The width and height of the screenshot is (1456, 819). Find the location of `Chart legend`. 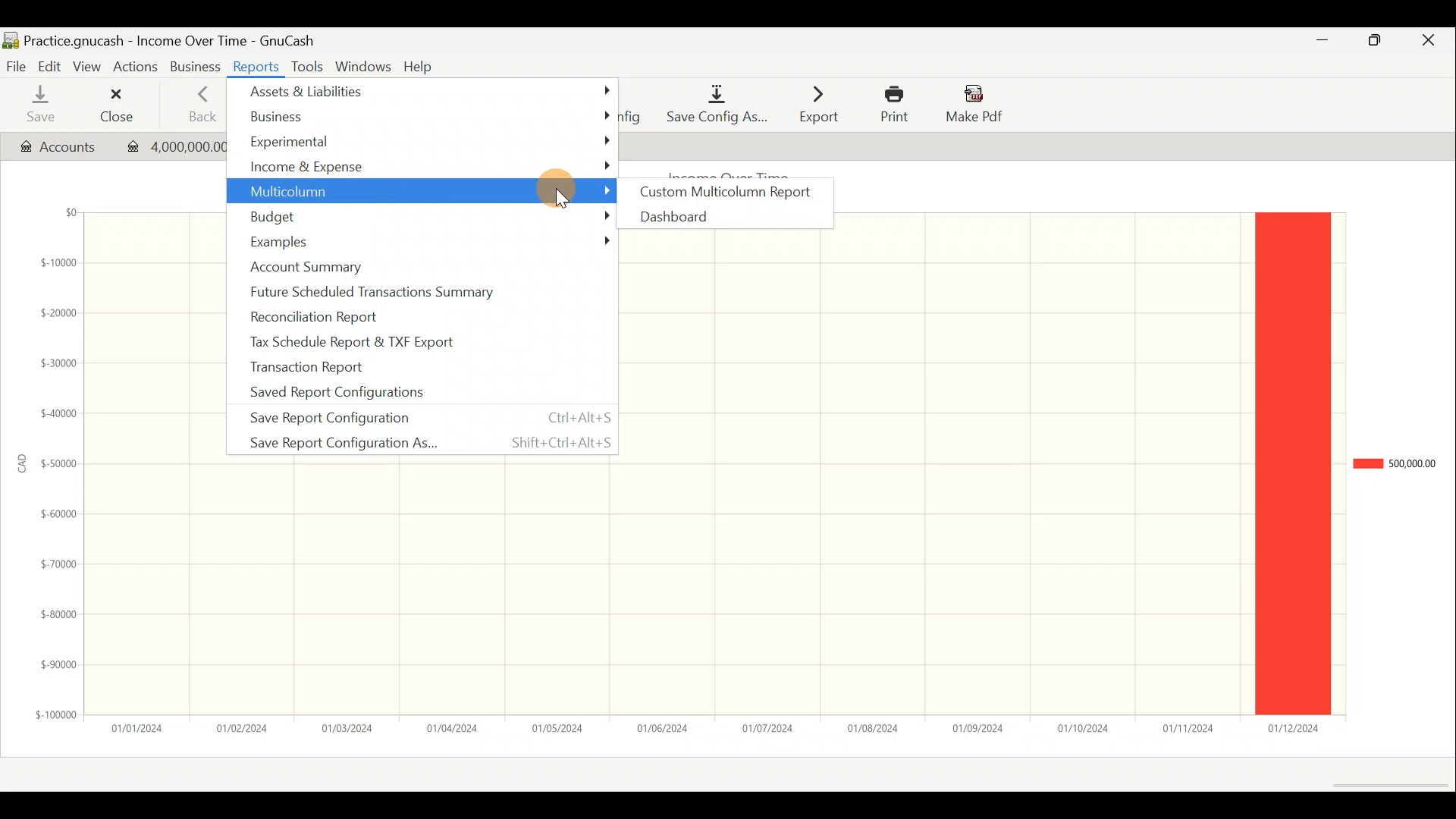

Chart legend is located at coordinates (1395, 462).